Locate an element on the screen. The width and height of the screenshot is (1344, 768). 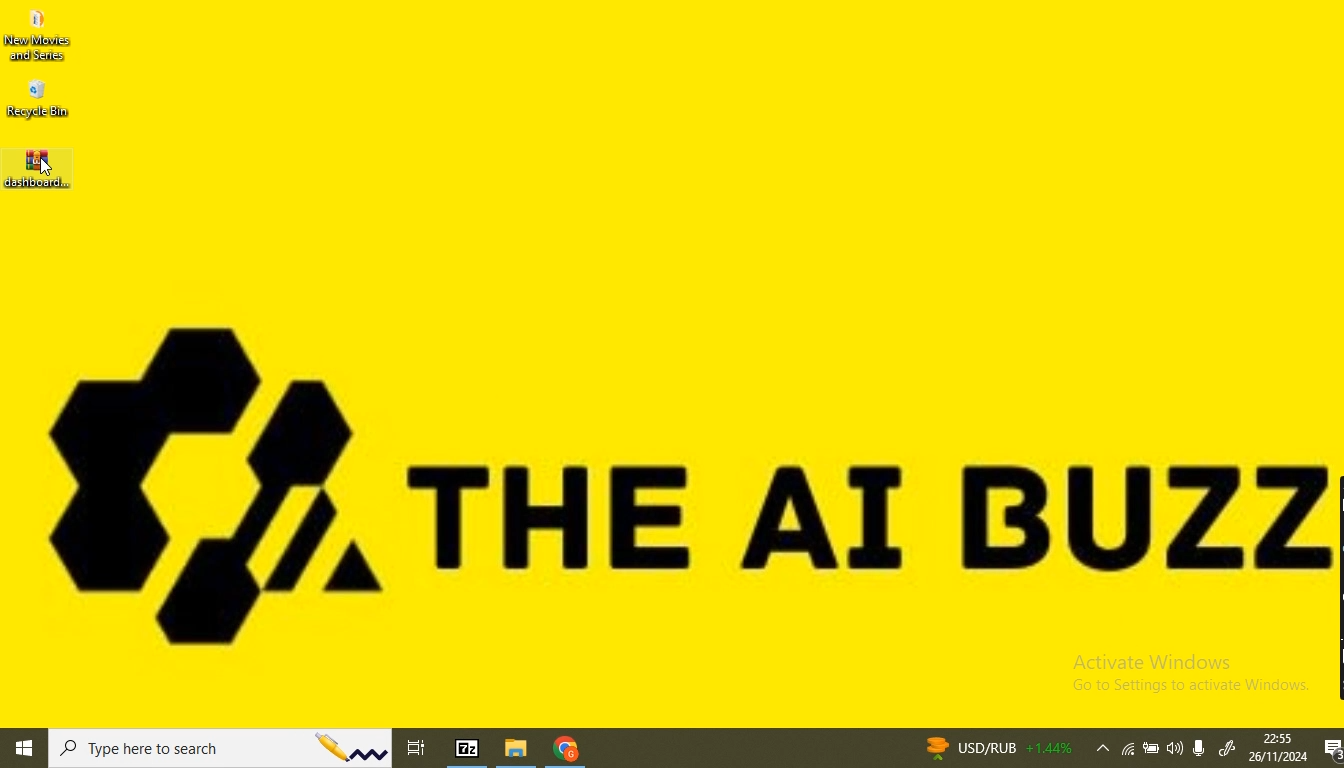
windows ink worspace is located at coordinates (1228, 750).